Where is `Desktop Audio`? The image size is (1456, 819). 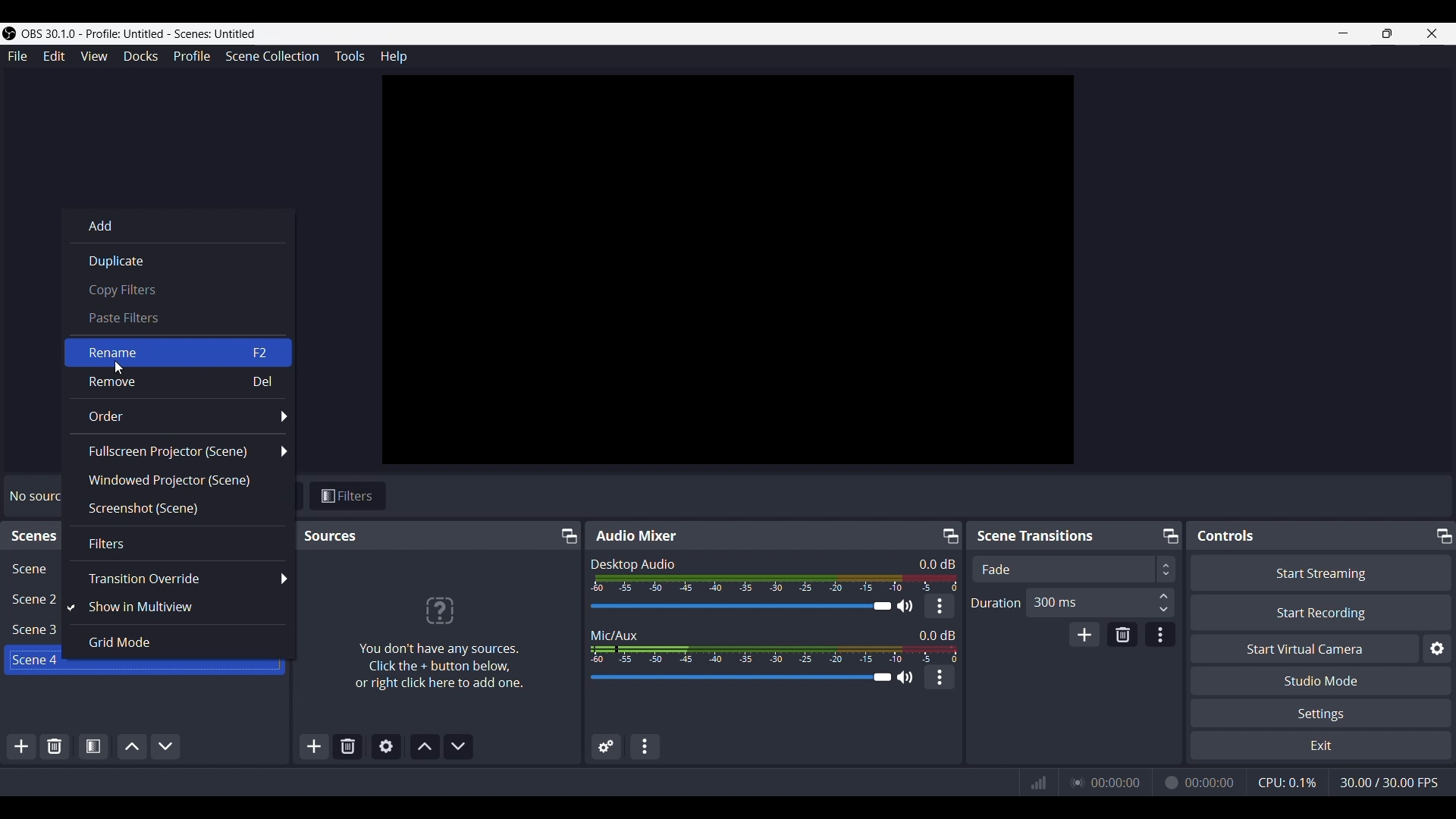
Desktop Audio is located at coordinates (633, 564).